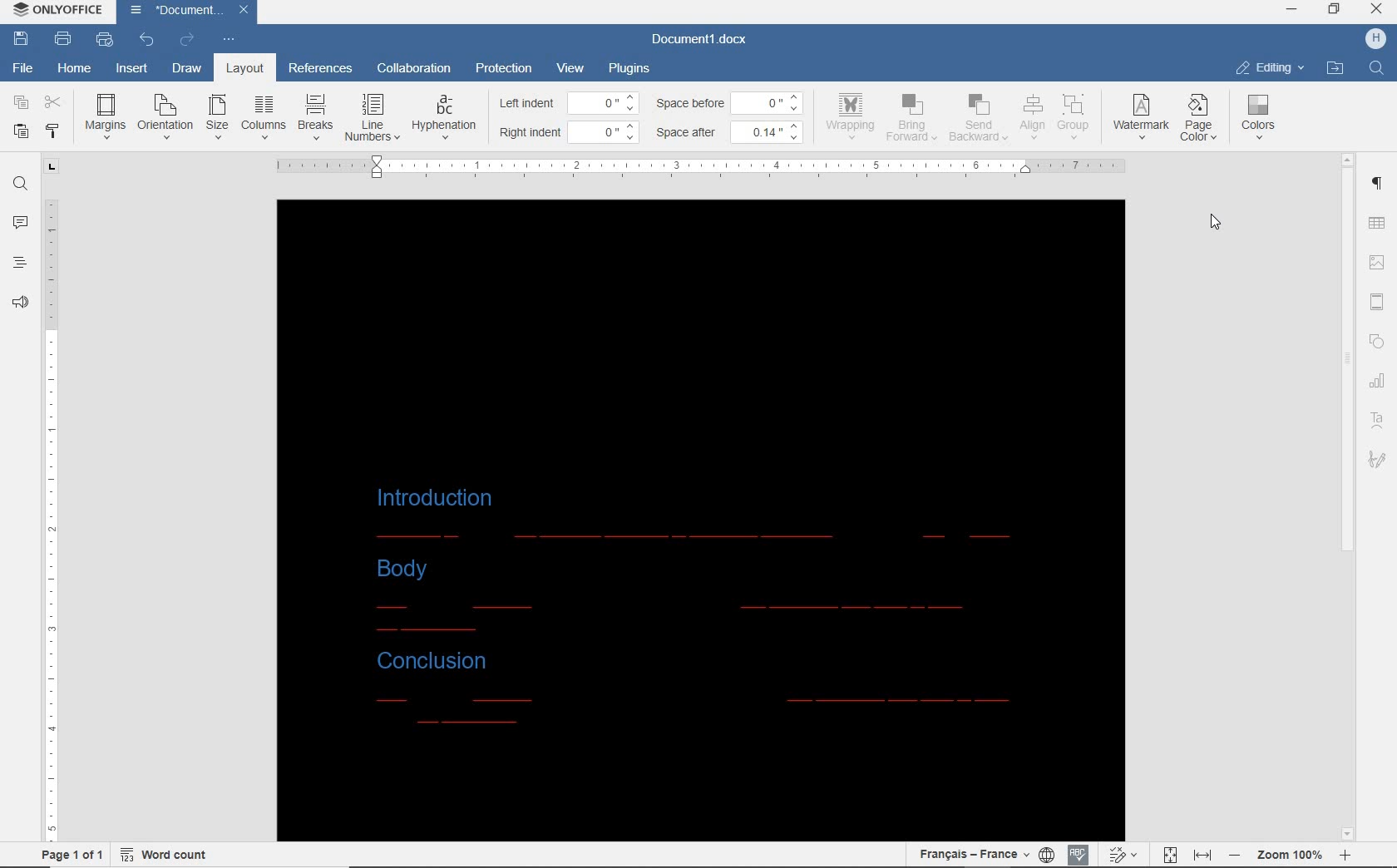  I want to click on group, so click(1078, 118).